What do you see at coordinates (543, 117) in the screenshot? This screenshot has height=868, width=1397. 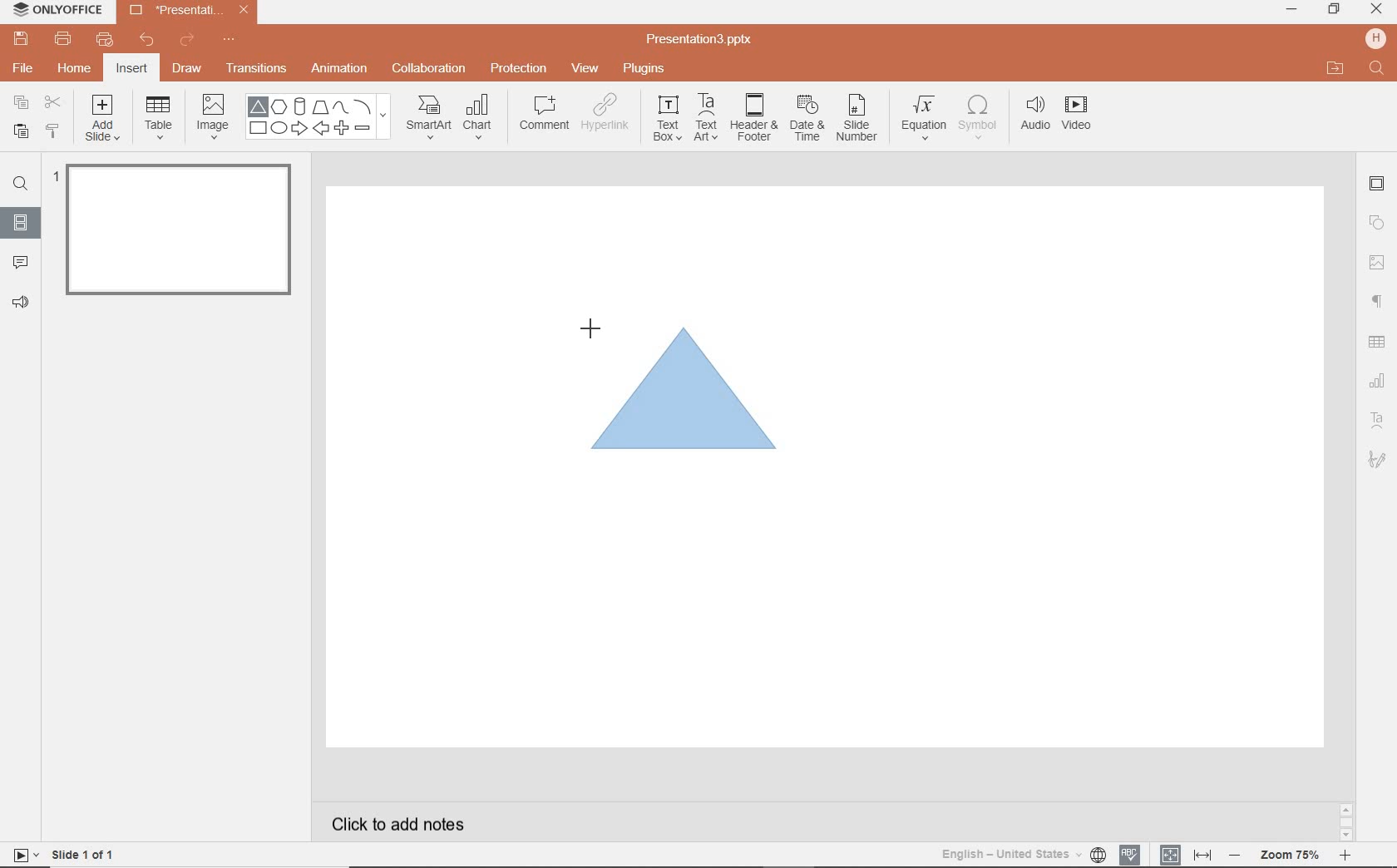 I see `COMMENT` at bounding box center [543, 117].